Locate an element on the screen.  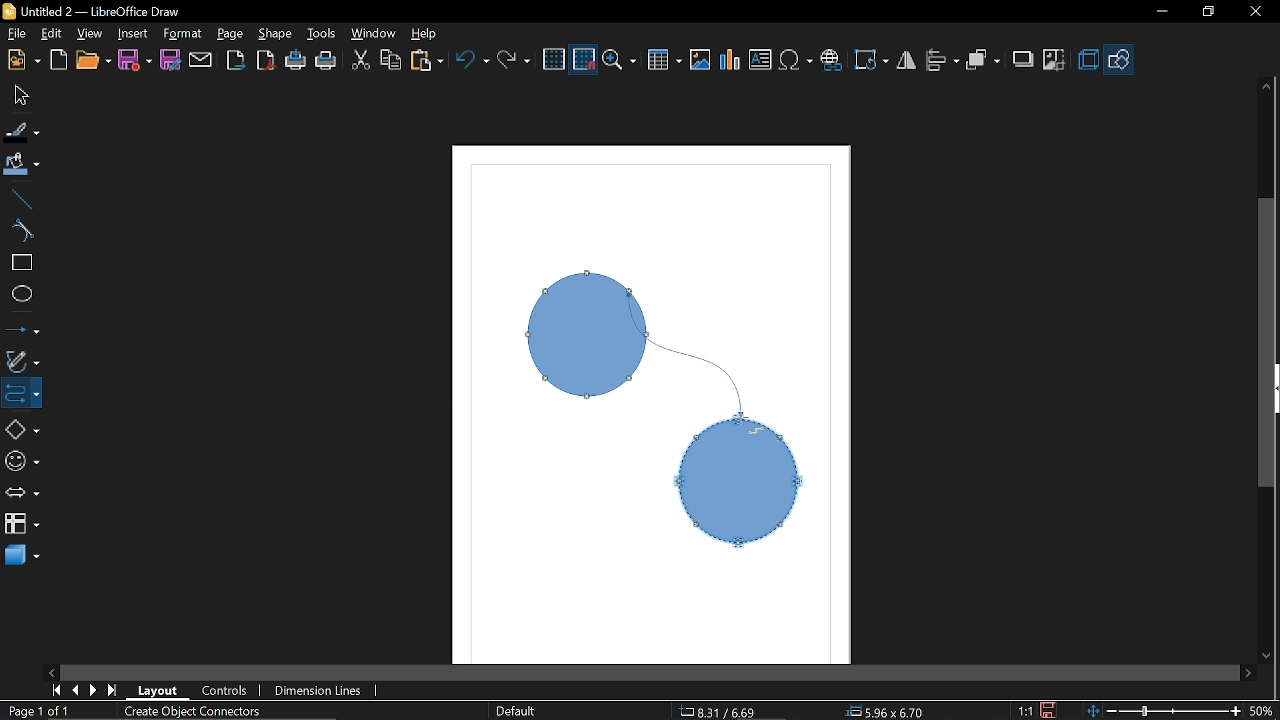
Format is located at coordinates (181, 35).